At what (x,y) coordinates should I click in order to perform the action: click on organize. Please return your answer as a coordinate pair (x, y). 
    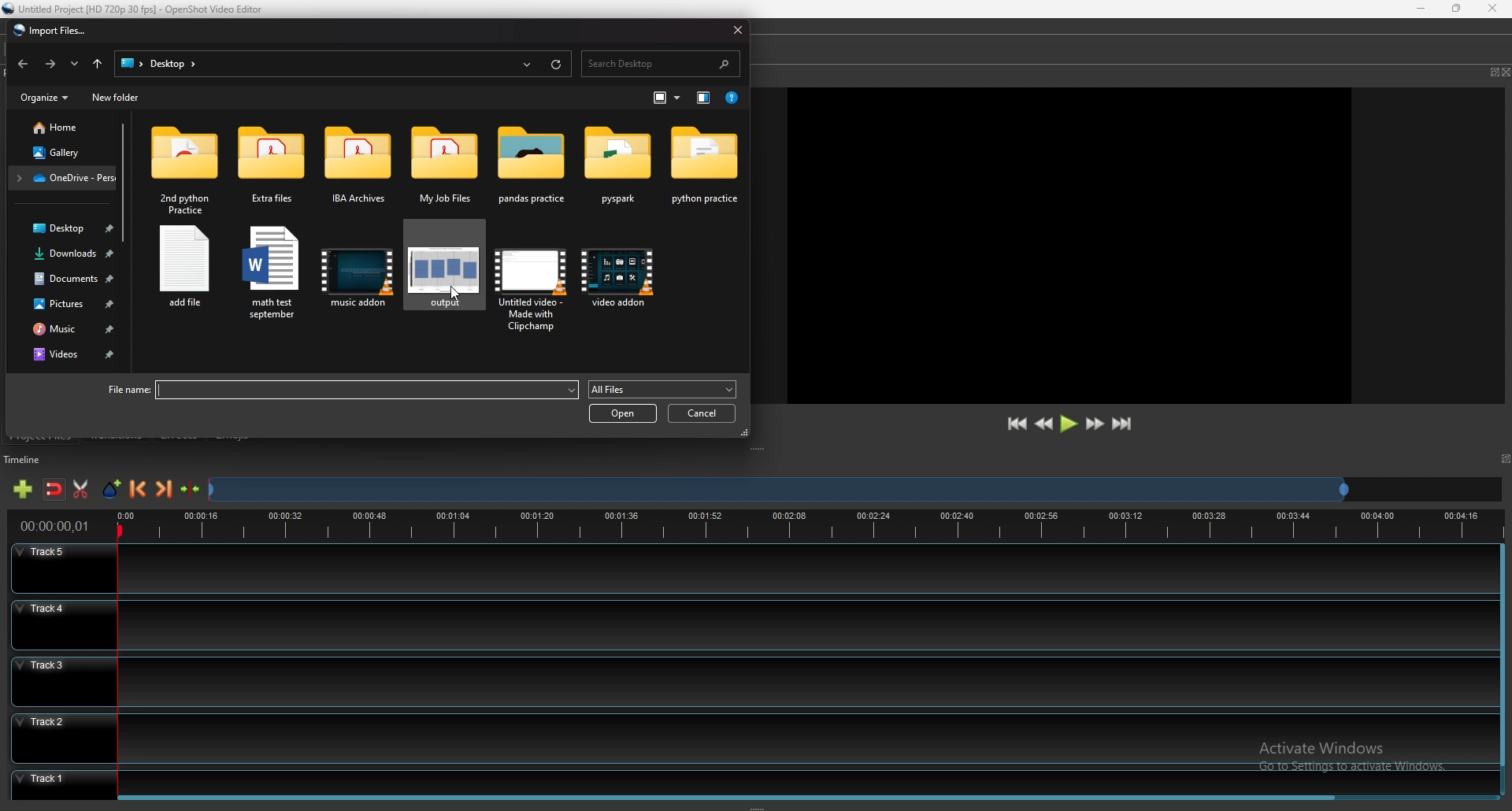
    Looking at the image, I should click on (46, 97).